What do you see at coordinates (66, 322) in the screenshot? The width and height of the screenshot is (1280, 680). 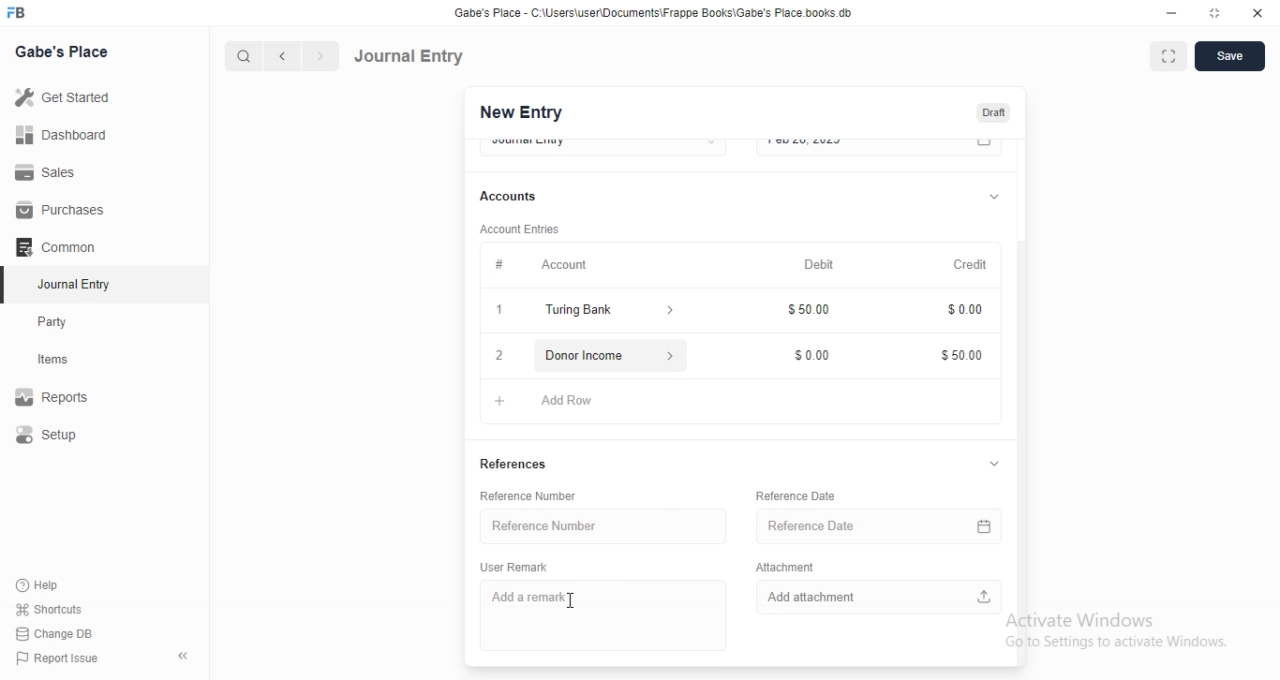 I see `Party` at bounding box center [66, 322].